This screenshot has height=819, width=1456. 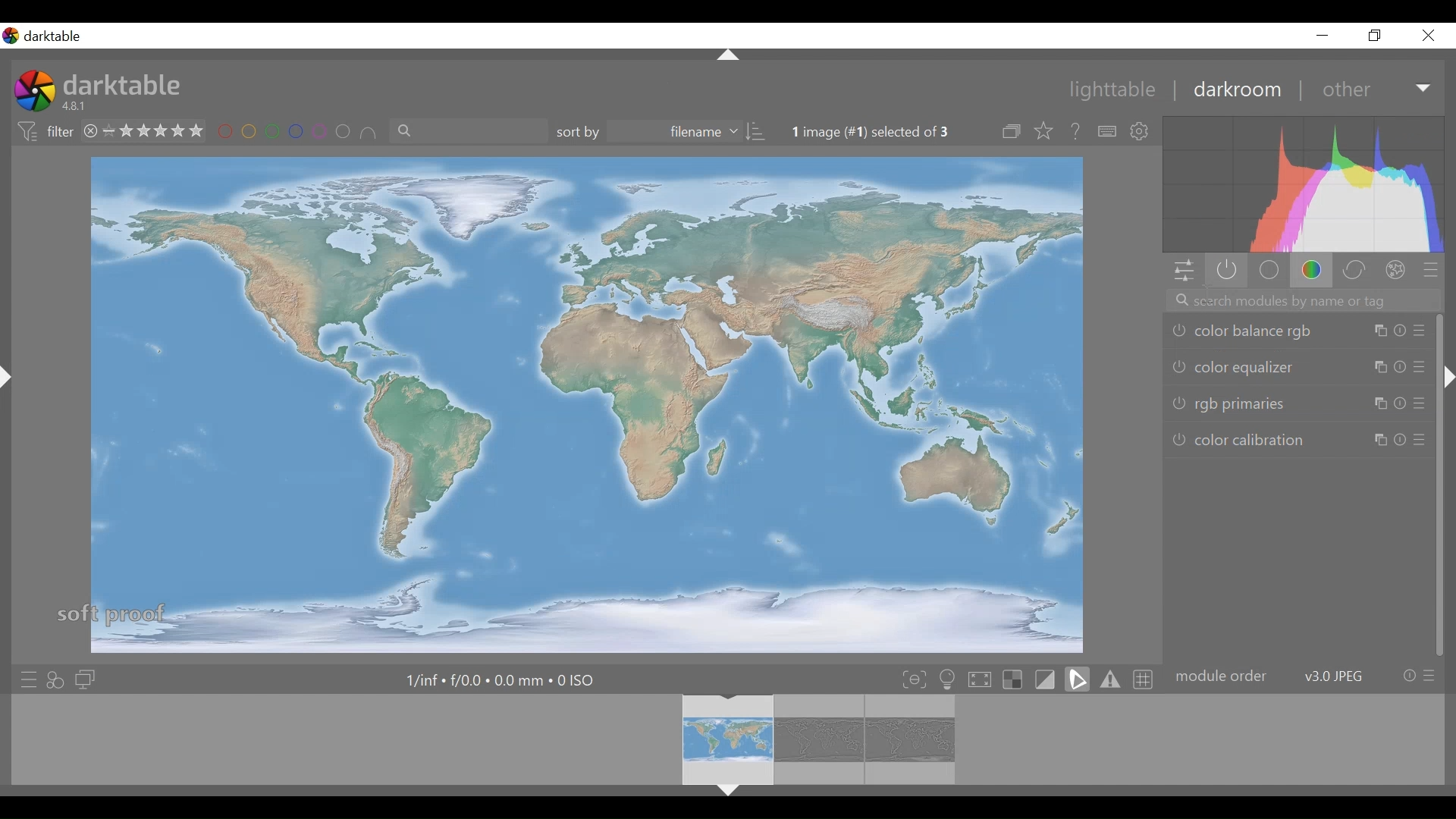 I want to click on darkroom, so click(x=1238, y=91).